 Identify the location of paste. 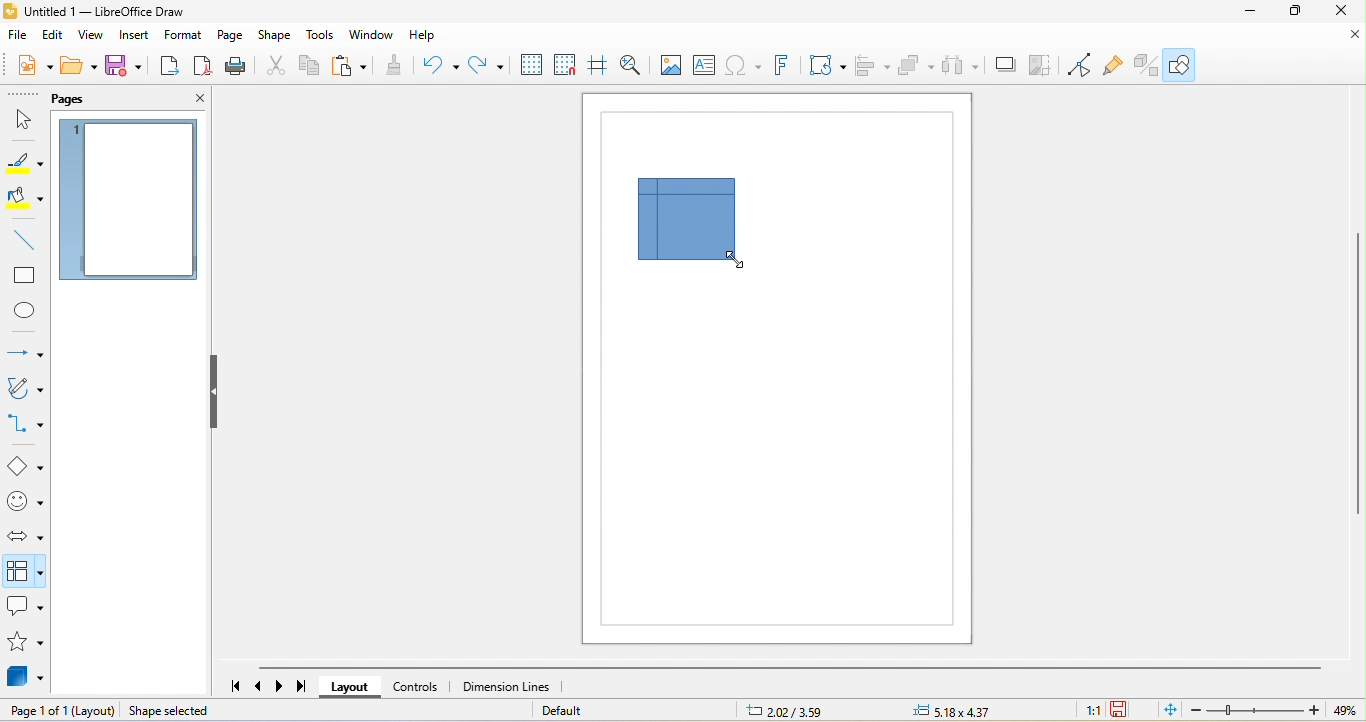
(351, 68).